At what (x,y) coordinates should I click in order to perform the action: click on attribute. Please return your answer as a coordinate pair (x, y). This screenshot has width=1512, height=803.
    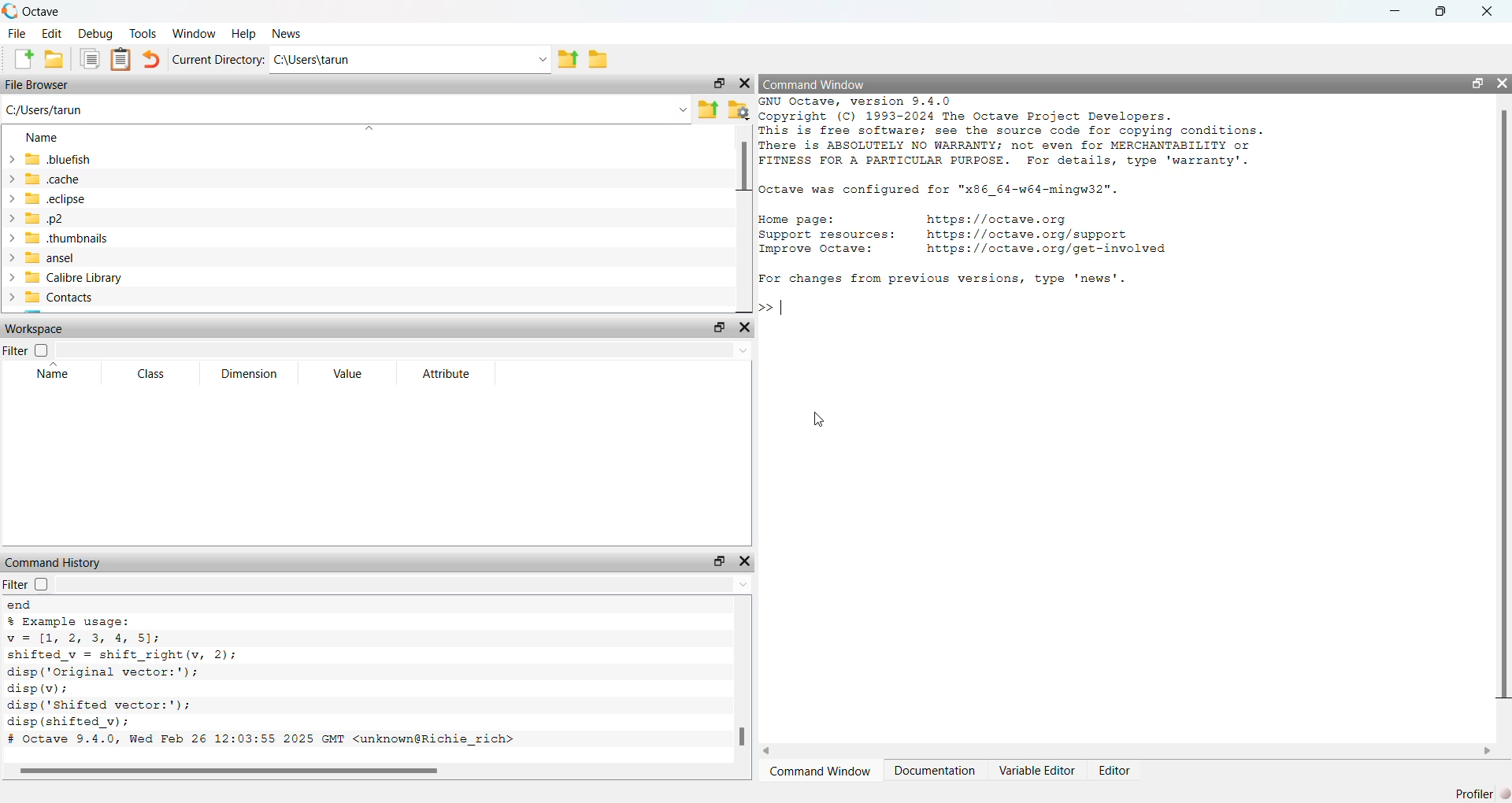
    Looking at the image, I should click on (444, 376).